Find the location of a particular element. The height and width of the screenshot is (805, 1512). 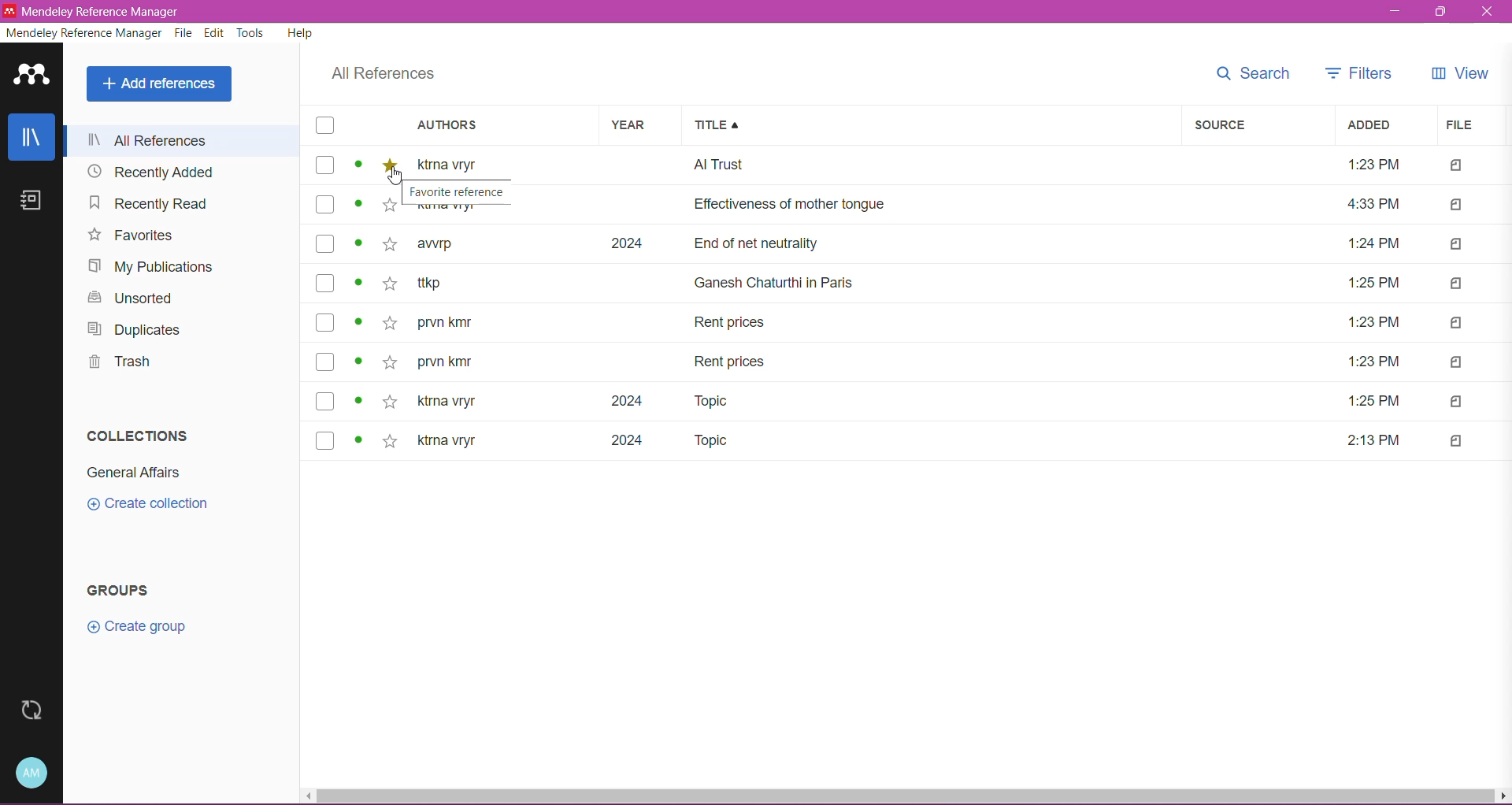

Trash is located at coordinates (115, 365).